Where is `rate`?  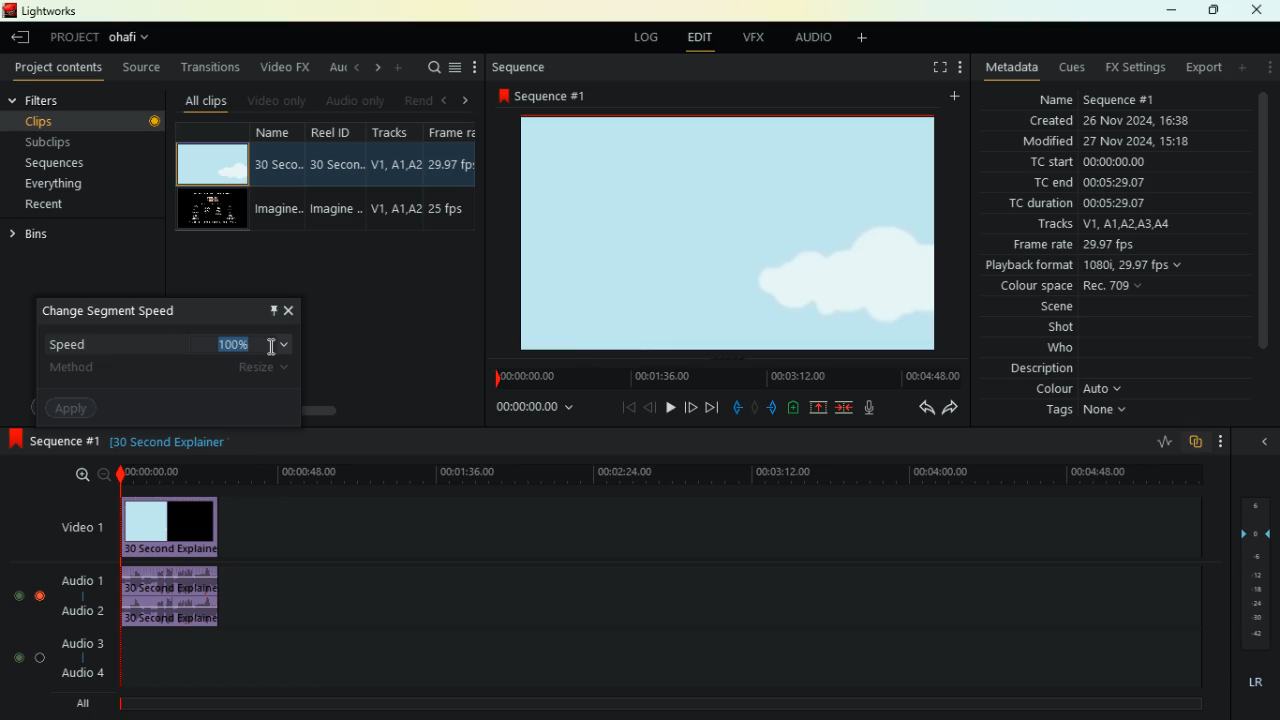
rate is located at coordinates (1157, 443).